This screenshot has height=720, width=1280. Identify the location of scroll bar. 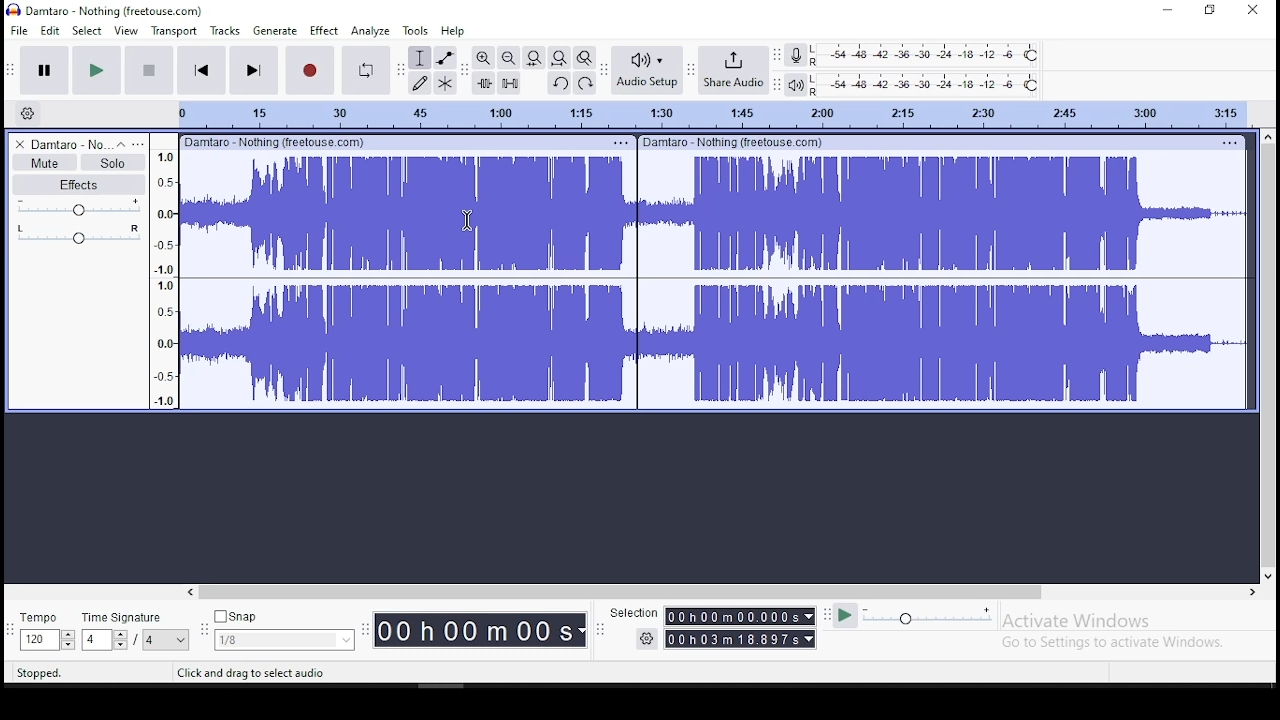
(622, 592).